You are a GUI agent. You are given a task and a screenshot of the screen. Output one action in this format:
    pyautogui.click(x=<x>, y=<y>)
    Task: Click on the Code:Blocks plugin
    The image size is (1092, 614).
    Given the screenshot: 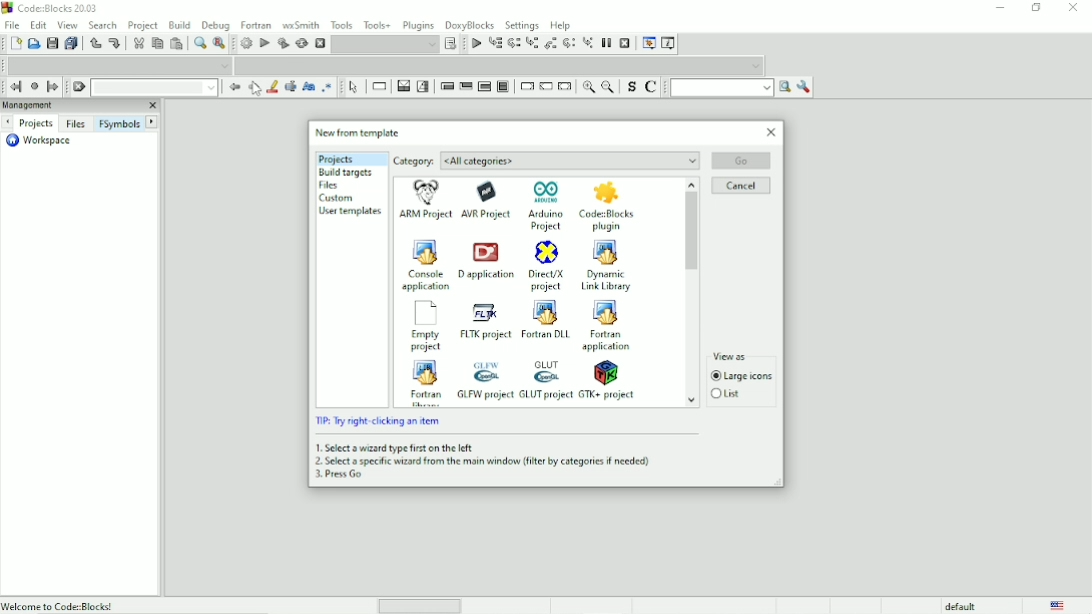 What is the action you would take?
    pyautogui.click(x=606, y=207)
    